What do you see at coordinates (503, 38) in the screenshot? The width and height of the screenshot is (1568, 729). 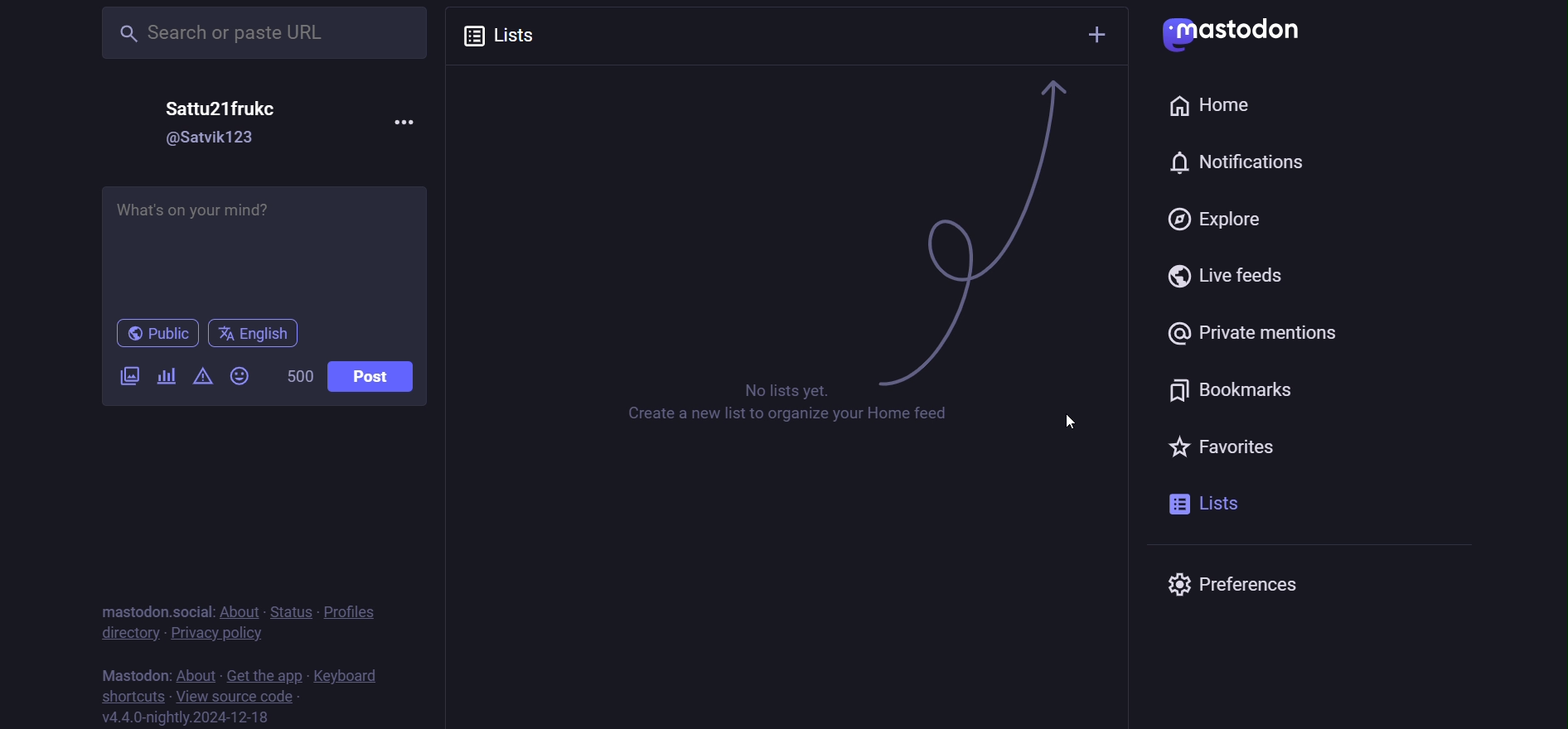 I see `lists` at bounding box center [503, 38].